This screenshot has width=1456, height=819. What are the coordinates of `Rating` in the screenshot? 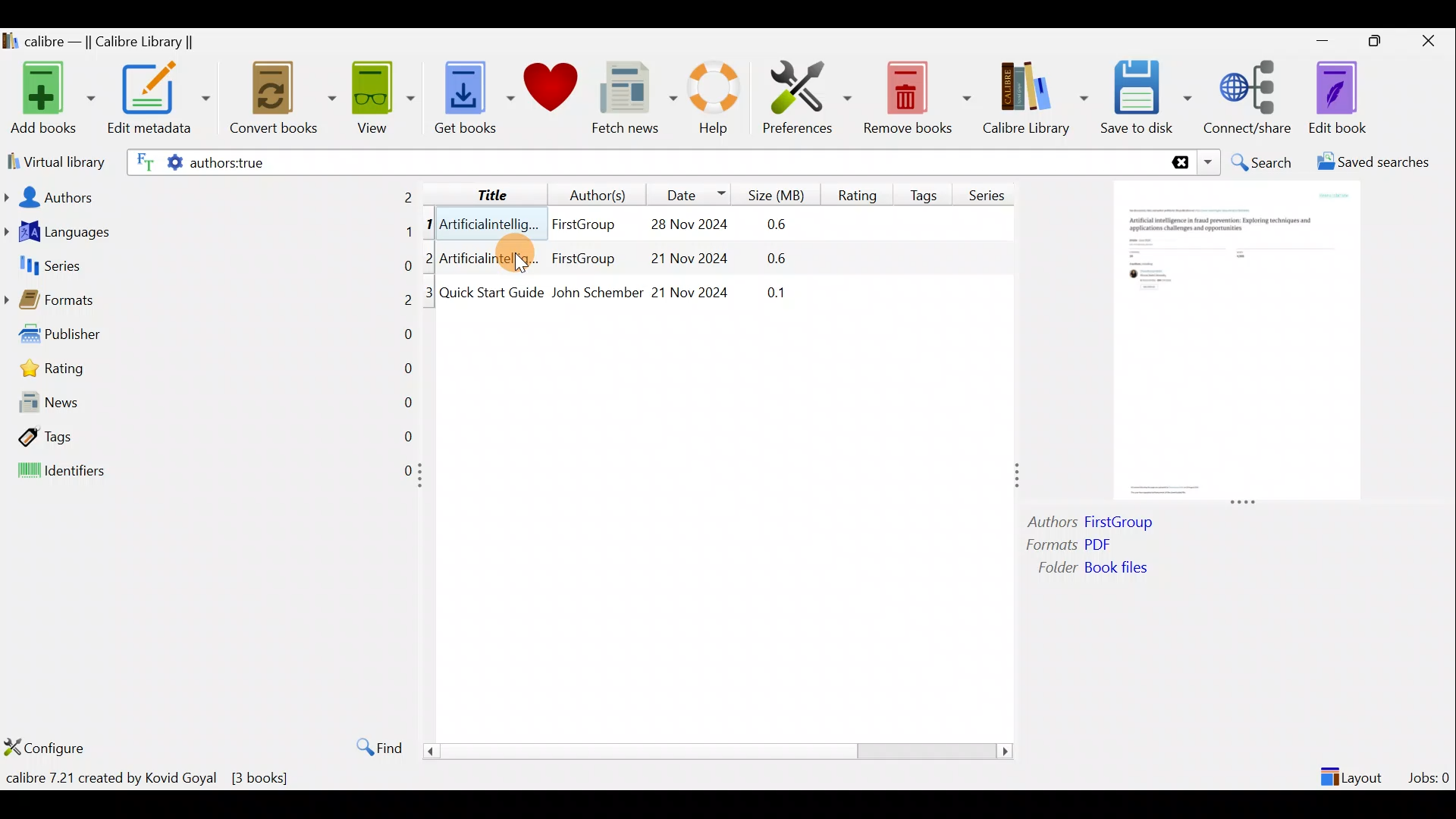 It's located at (858, 193).